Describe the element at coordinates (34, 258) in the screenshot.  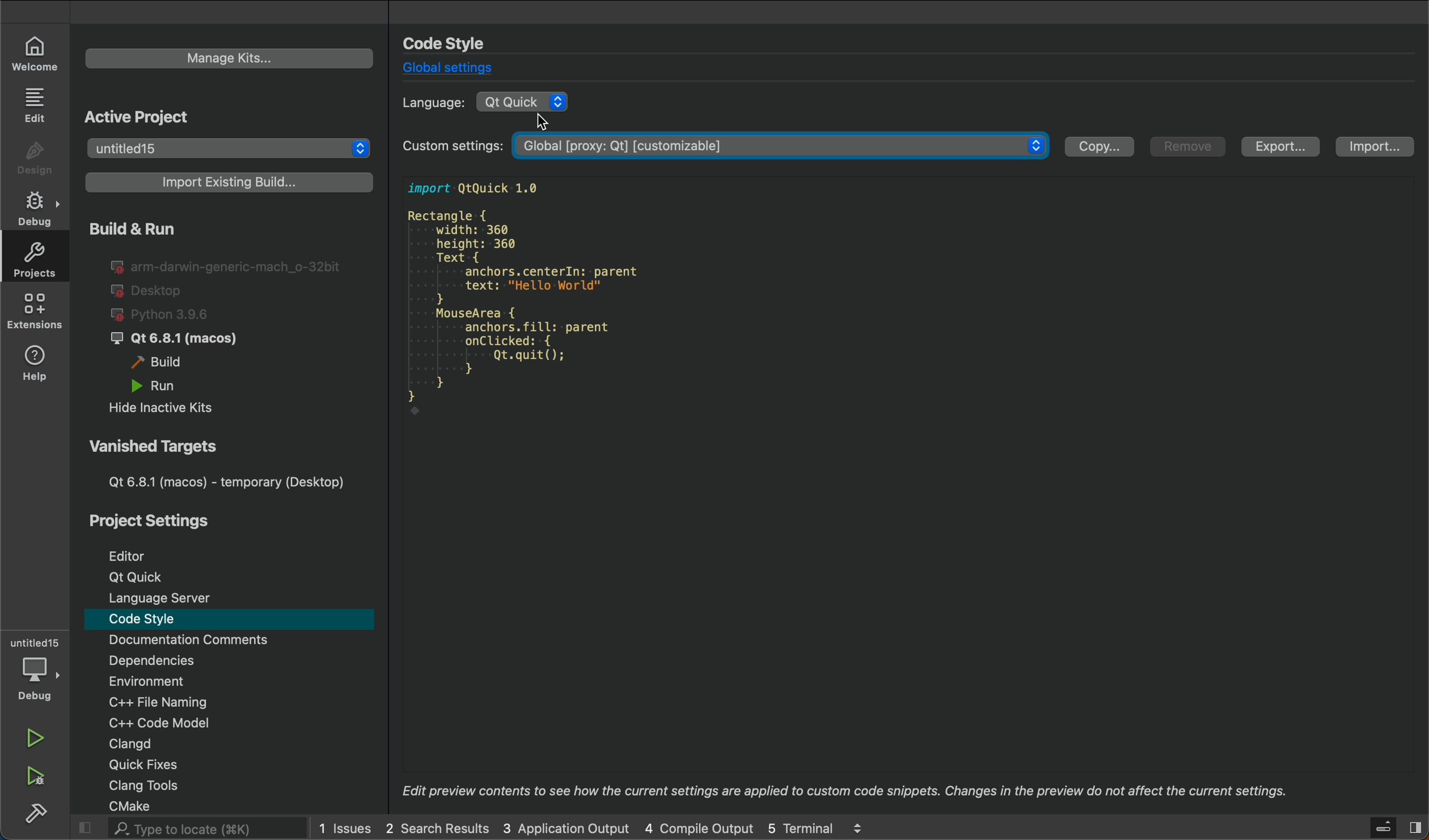
I see `projects` at that location.